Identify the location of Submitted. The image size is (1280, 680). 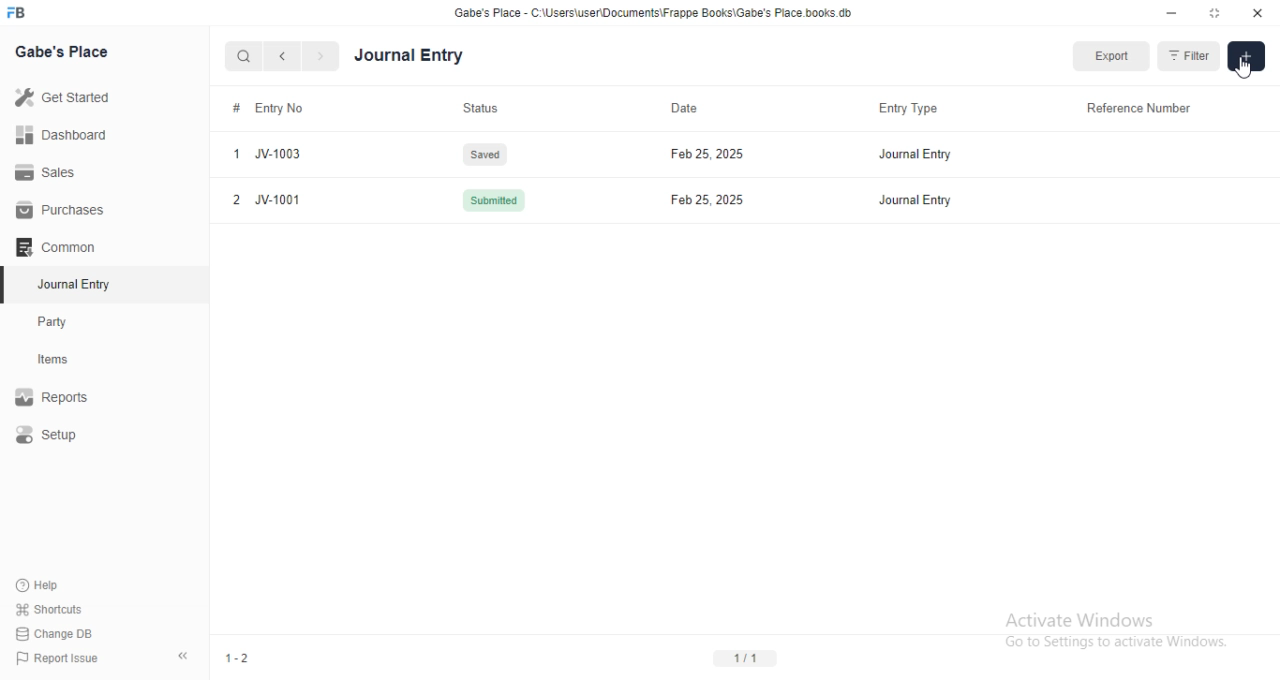
(491, 200).